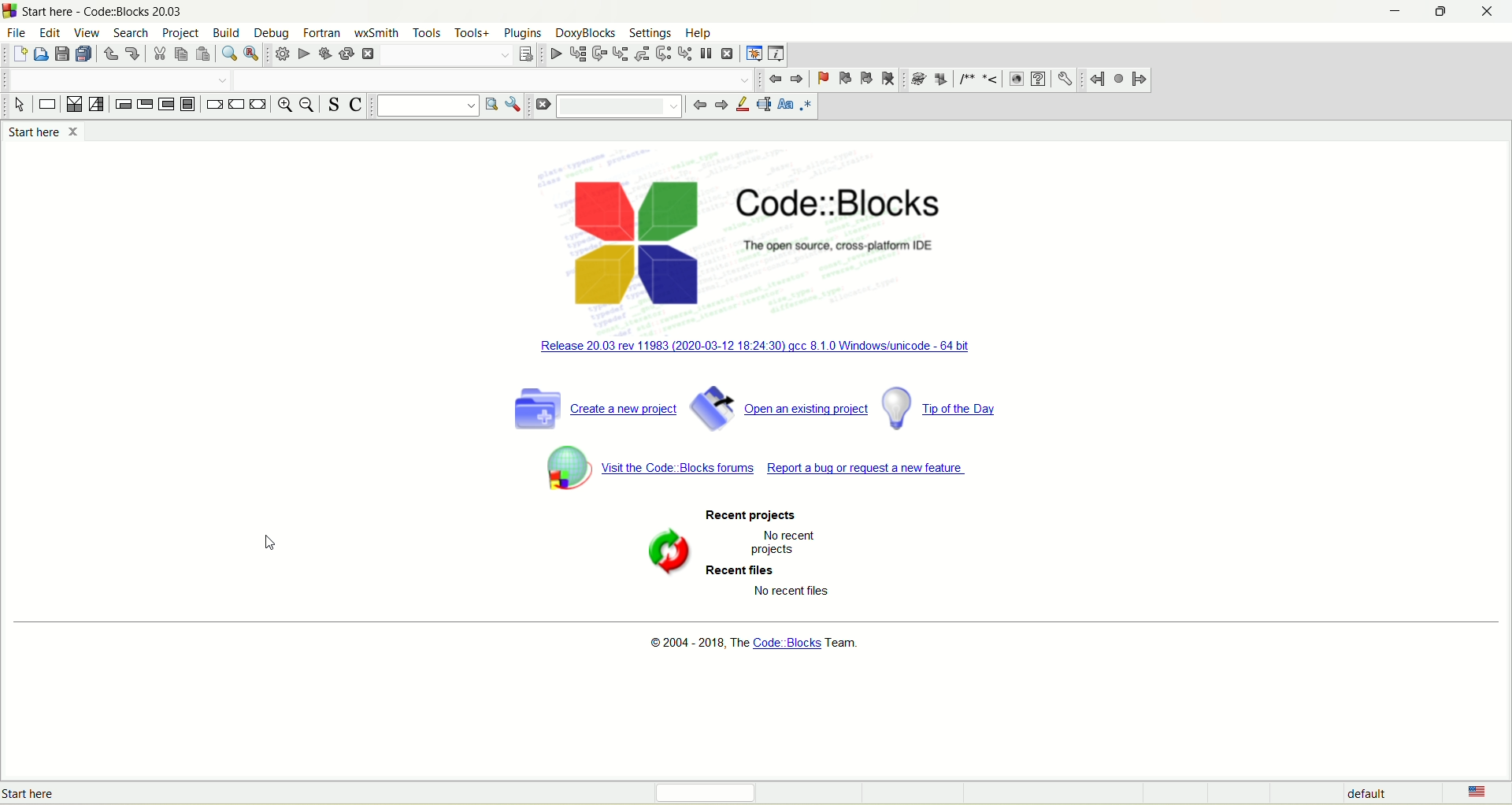 This screenshot has height=805, width=1512. What do you see at coordinates (11, 10) in the screenshot?
I see `logo` at bounding box center [11, 10].